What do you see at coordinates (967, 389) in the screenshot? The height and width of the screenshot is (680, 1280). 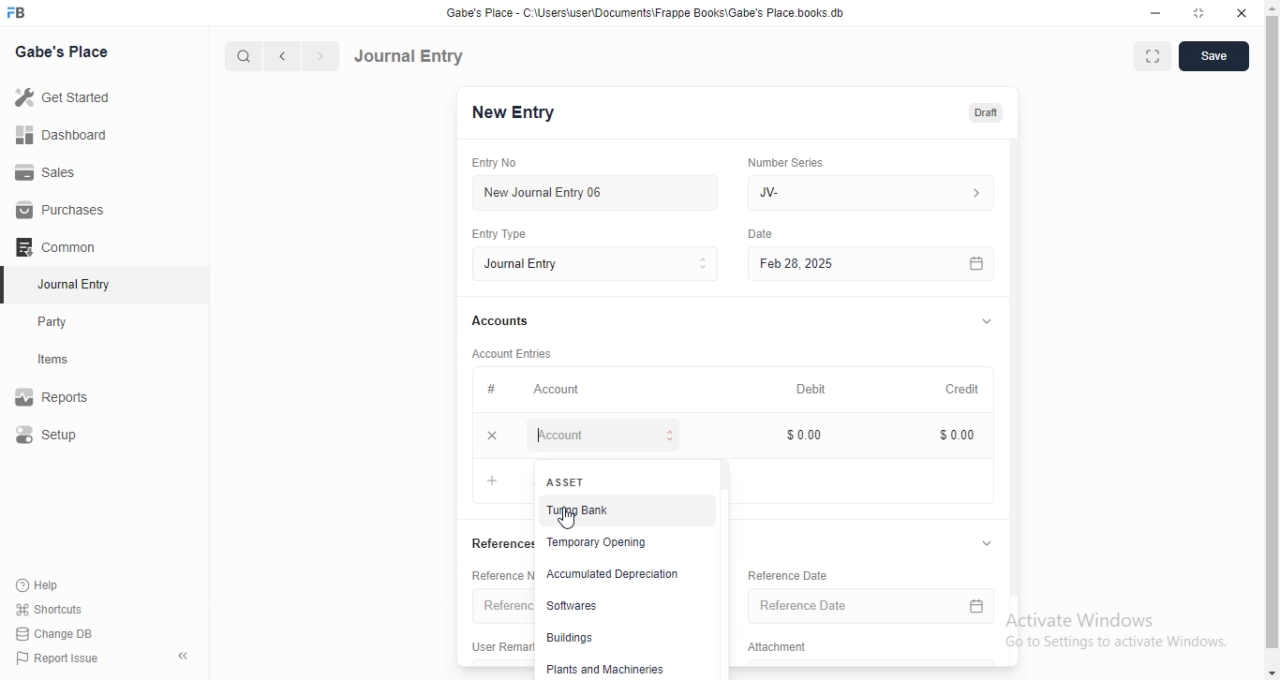 I see `Credit` at bounding box center [967, 389].